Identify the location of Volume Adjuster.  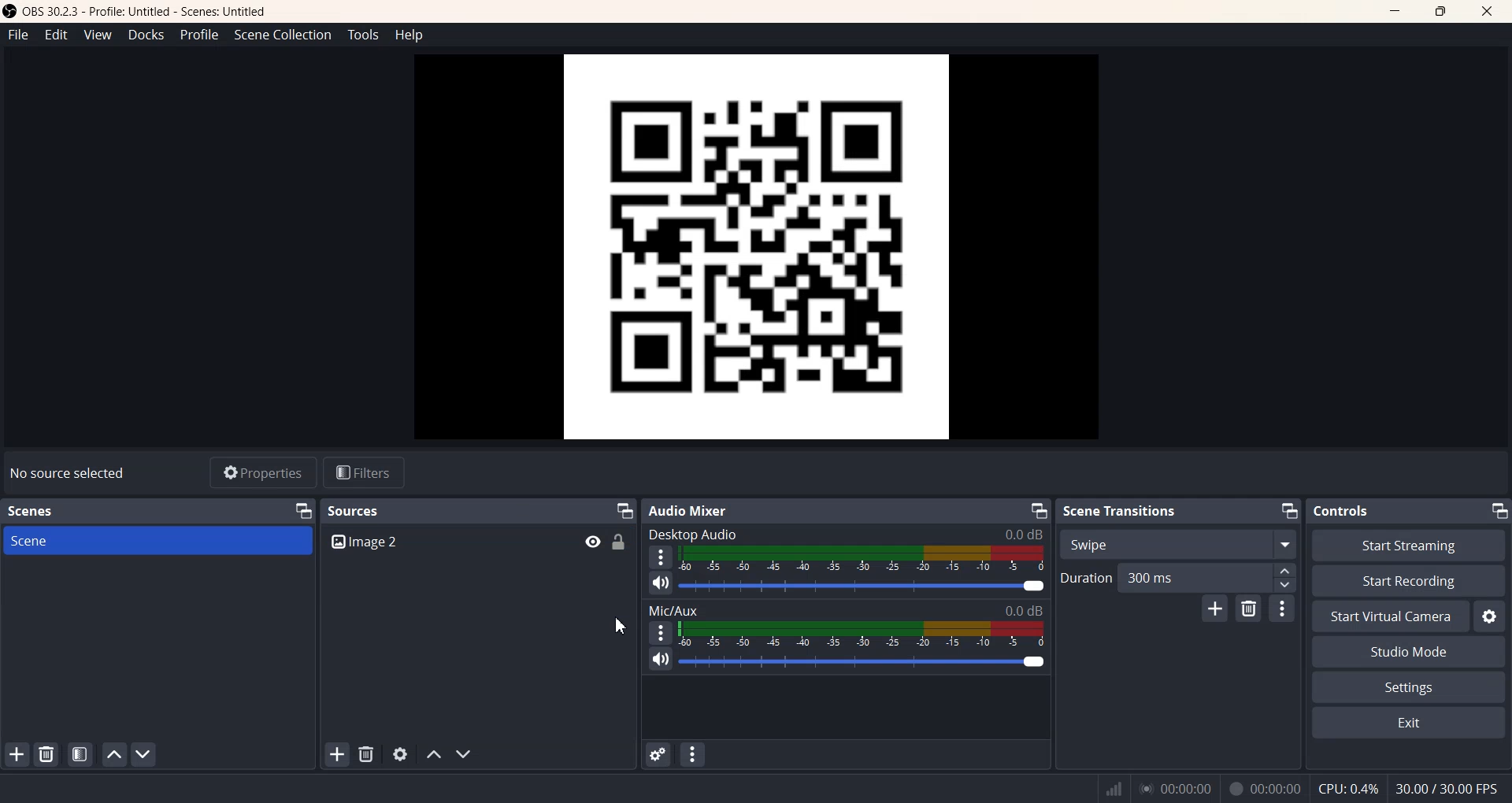
(863, 584).